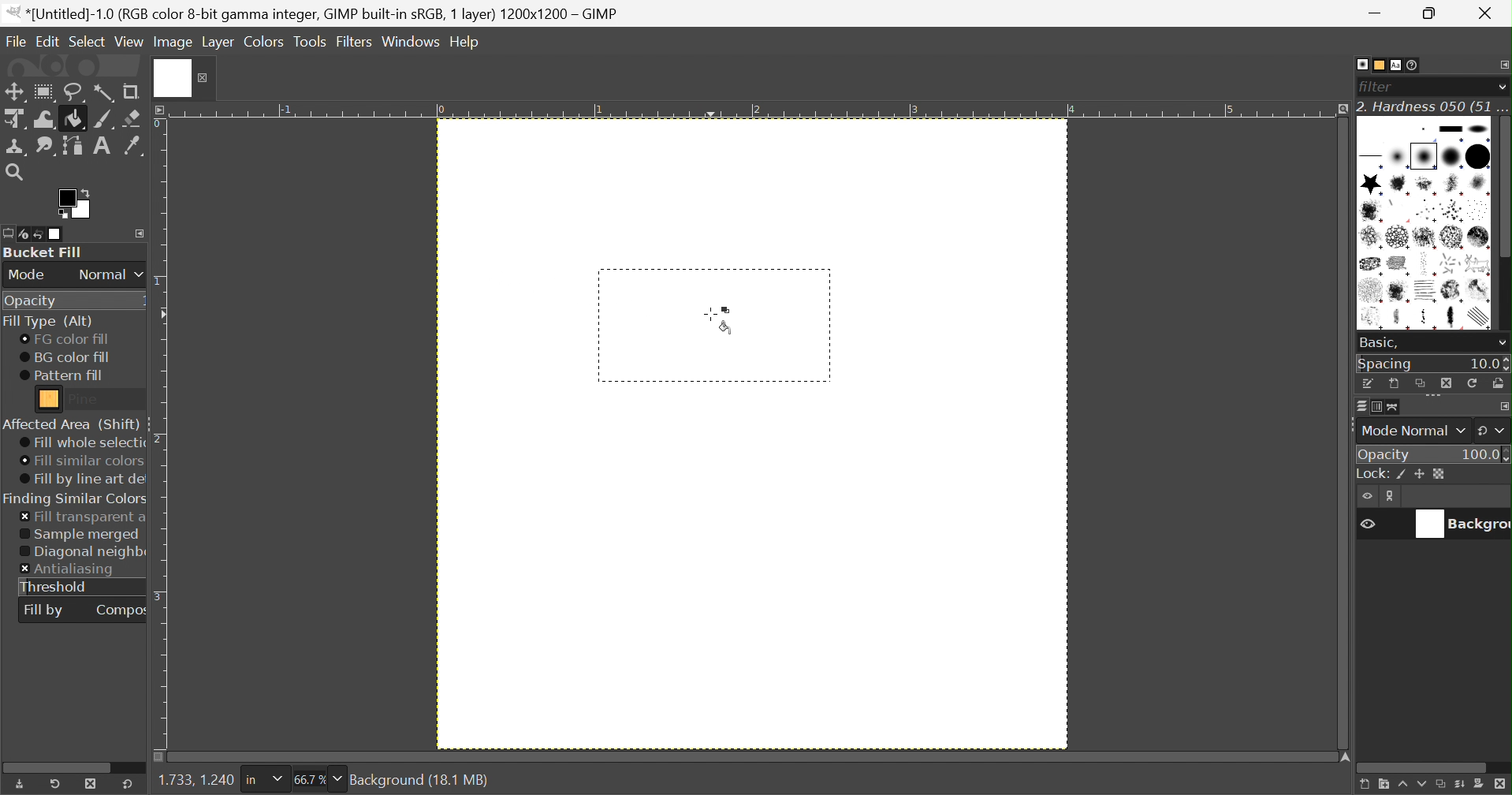 This screenshot has height=795, width=1512. I want to click on Charcoal, so click(1370, 264).